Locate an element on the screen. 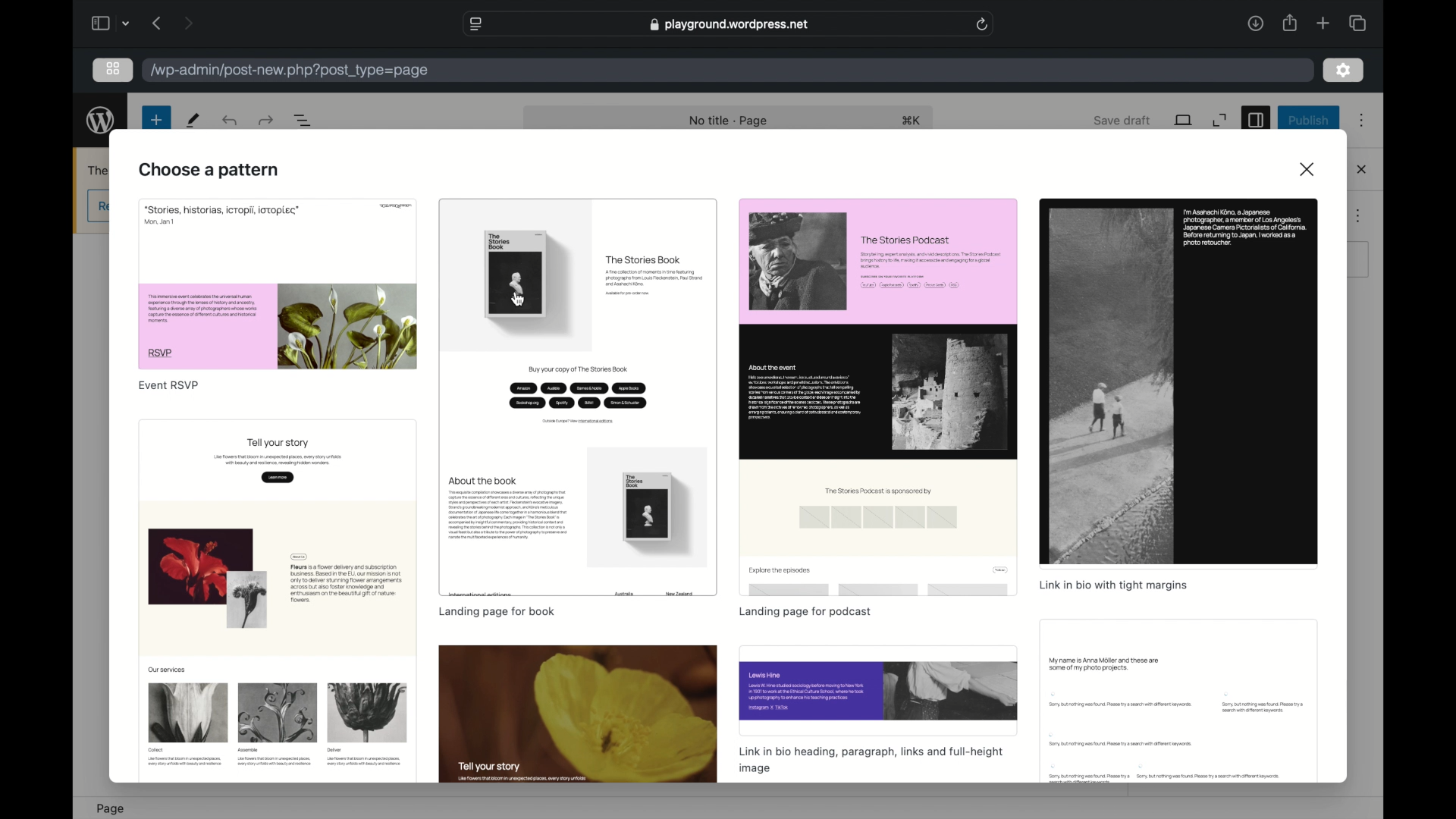 Image resolution: width=1456 pixels, height=819 pixels. new is located at coordinates (157, 121).